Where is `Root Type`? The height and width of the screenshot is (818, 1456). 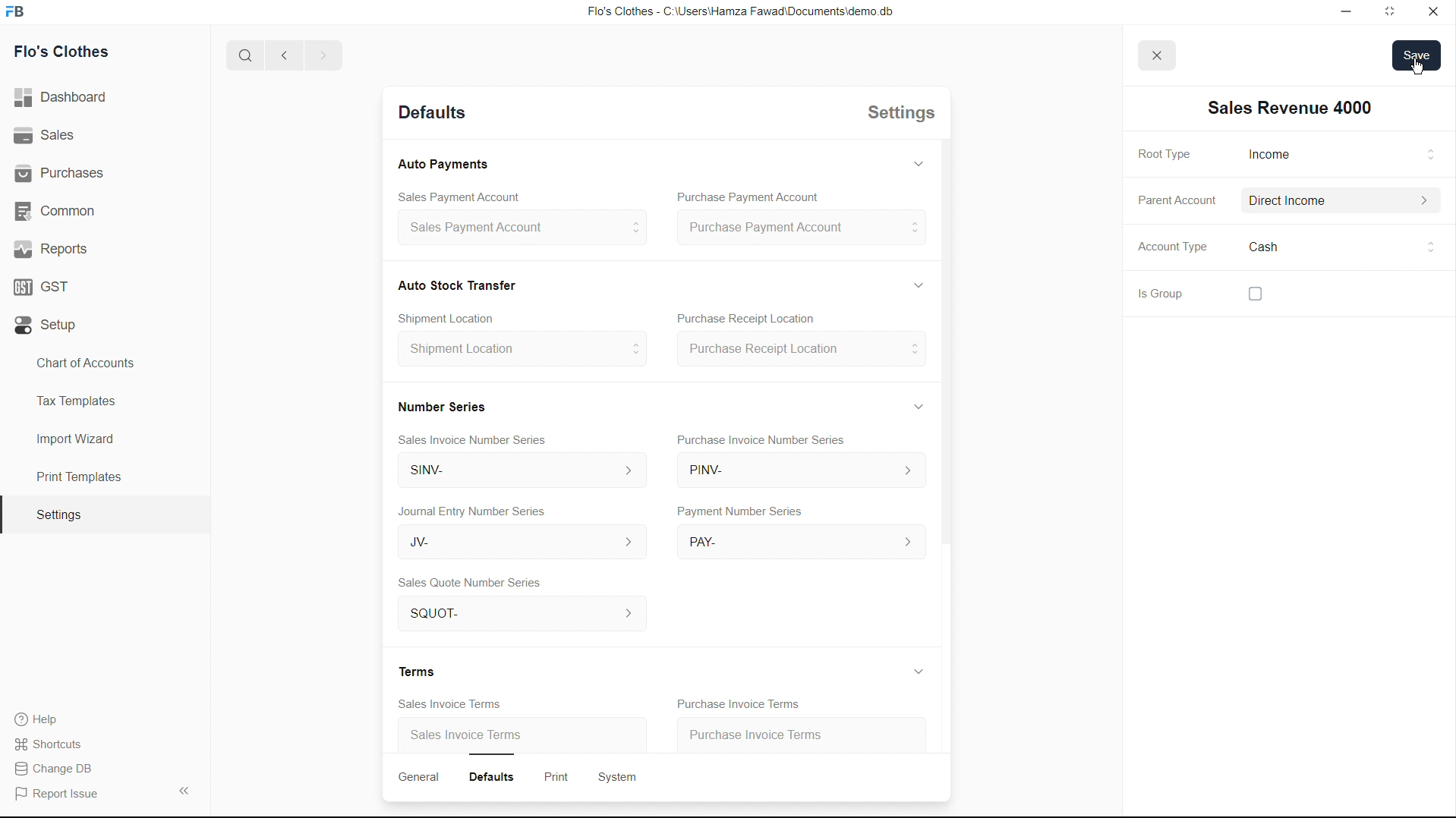 Root Type is located at coordinates (1267, 154).